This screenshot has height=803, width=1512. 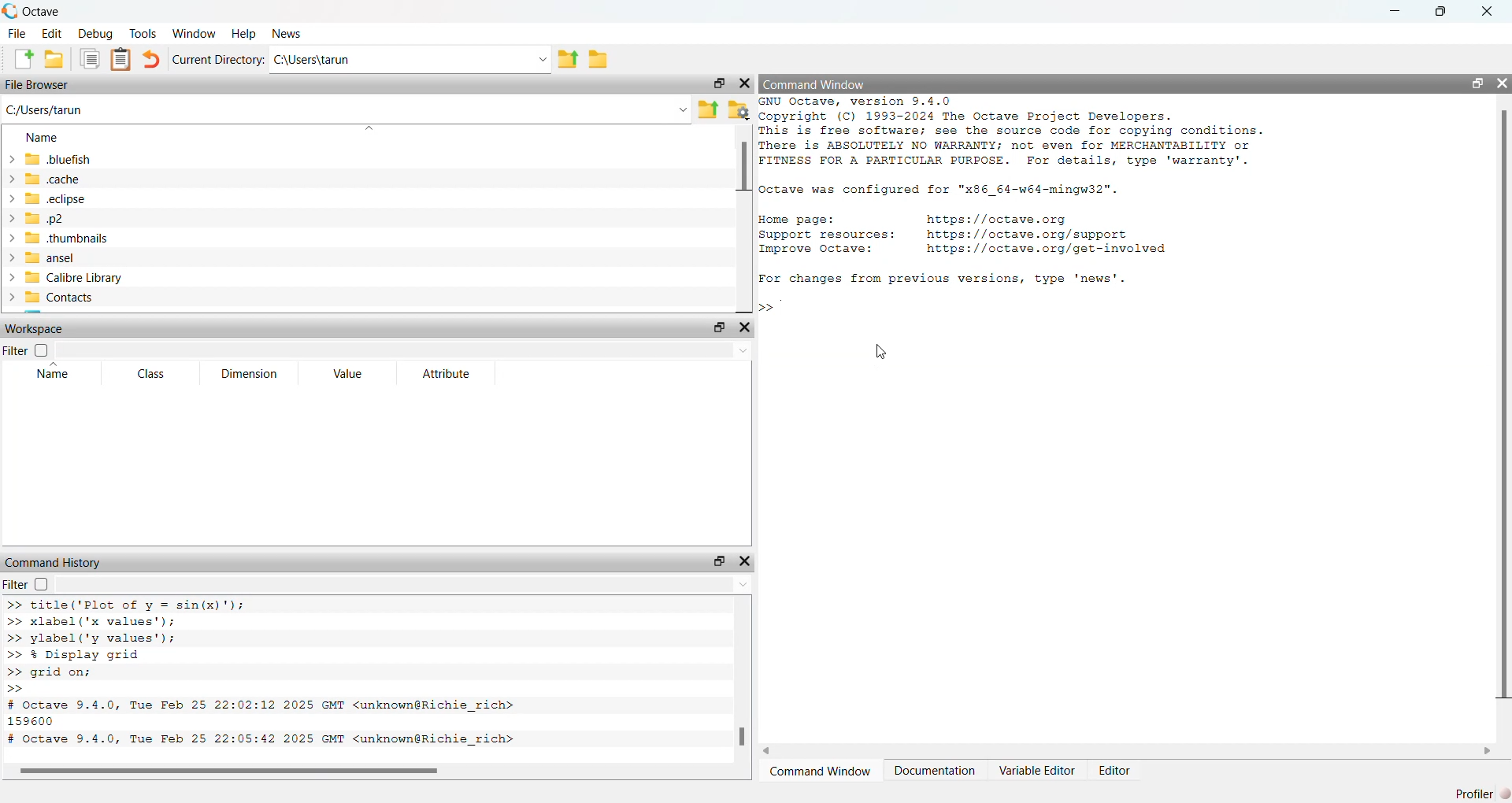 I want to click on Help, so click(x=244, y=35).